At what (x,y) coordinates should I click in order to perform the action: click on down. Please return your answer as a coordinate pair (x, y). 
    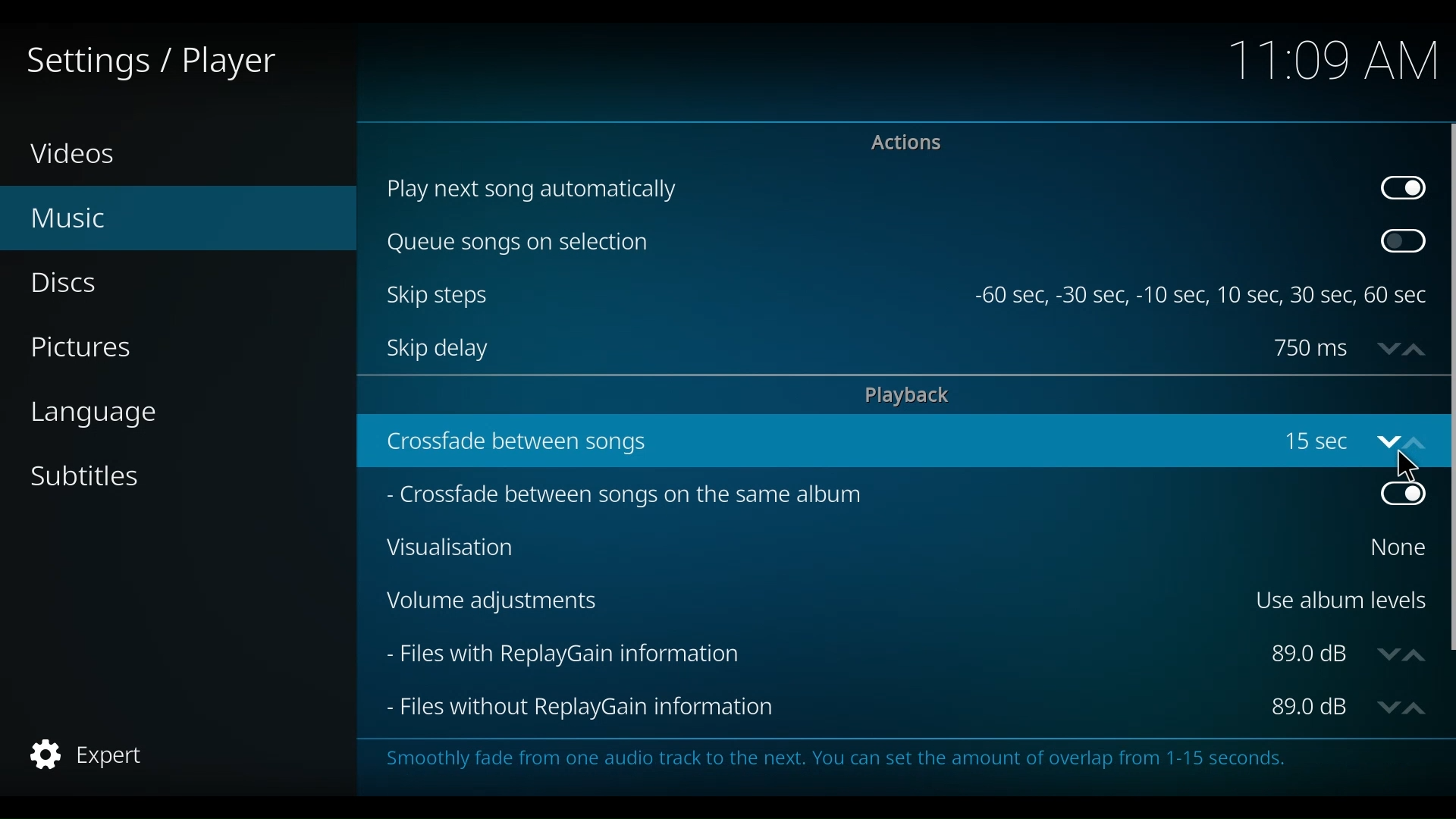
    Looking at the image, I should click on (1384, 347).